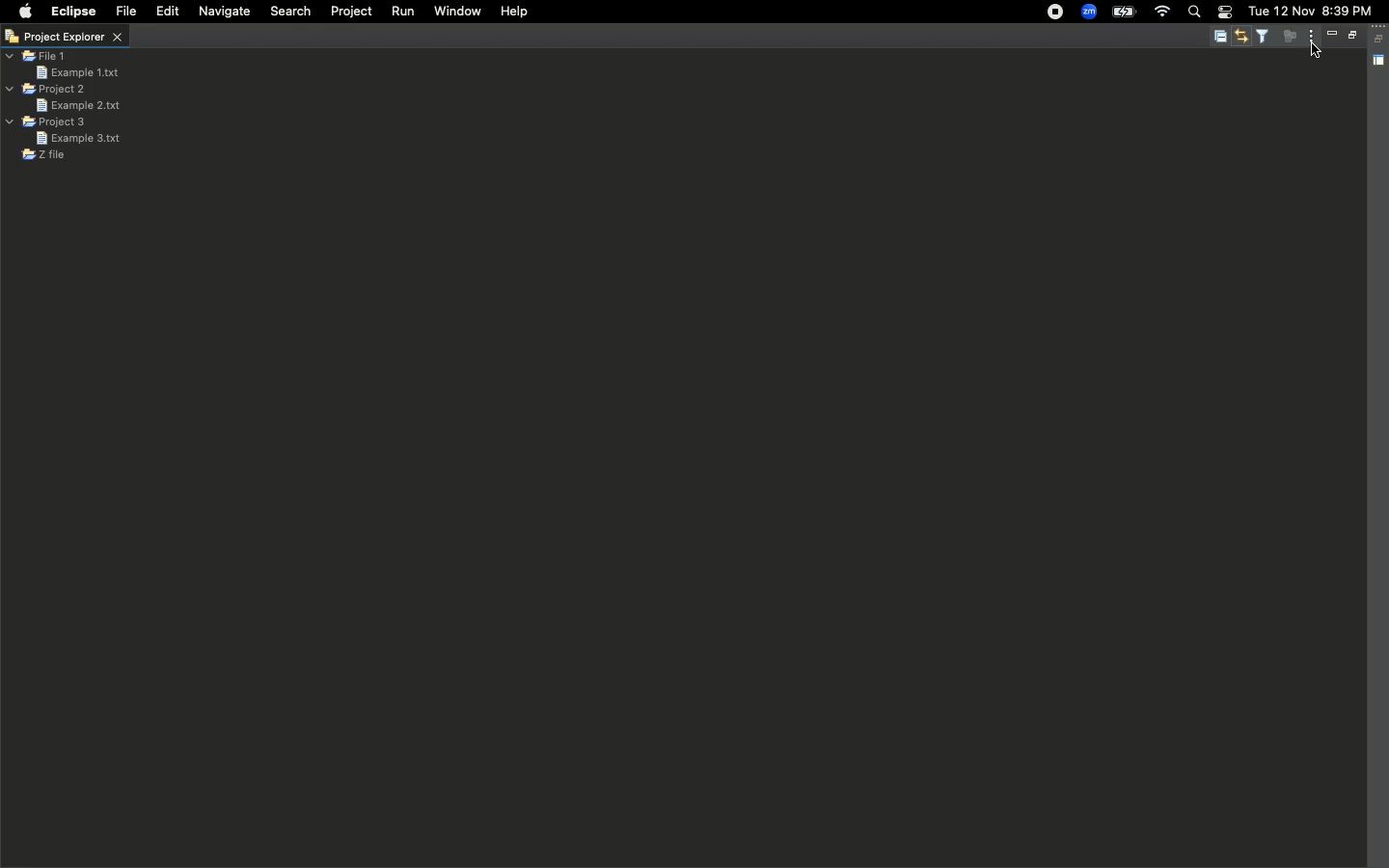 The image size is (1389, 868). I want to click on Example 2.txt, so click(77, 105).